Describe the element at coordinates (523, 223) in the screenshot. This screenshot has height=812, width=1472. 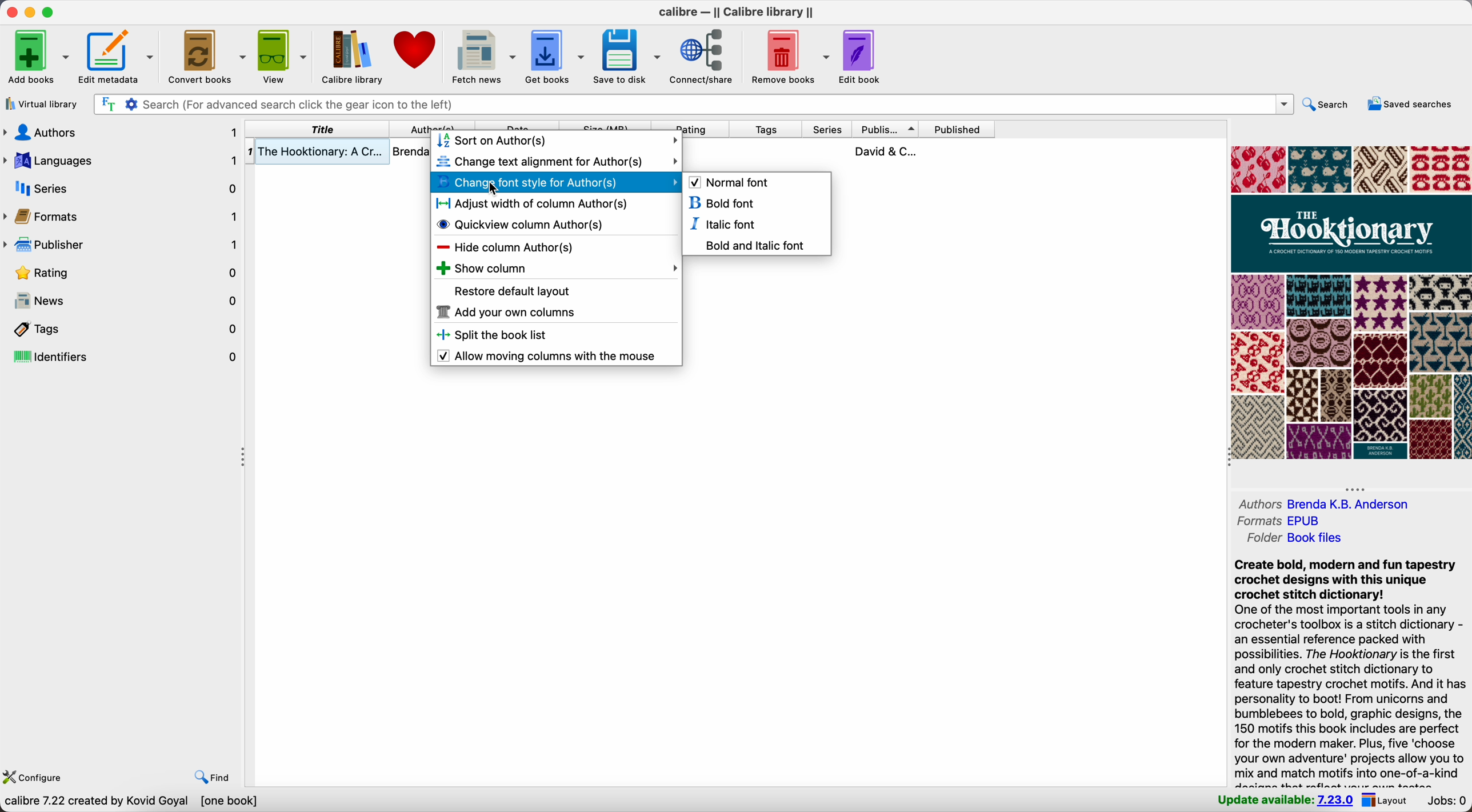
I see `quickview column author(s)` at that location.